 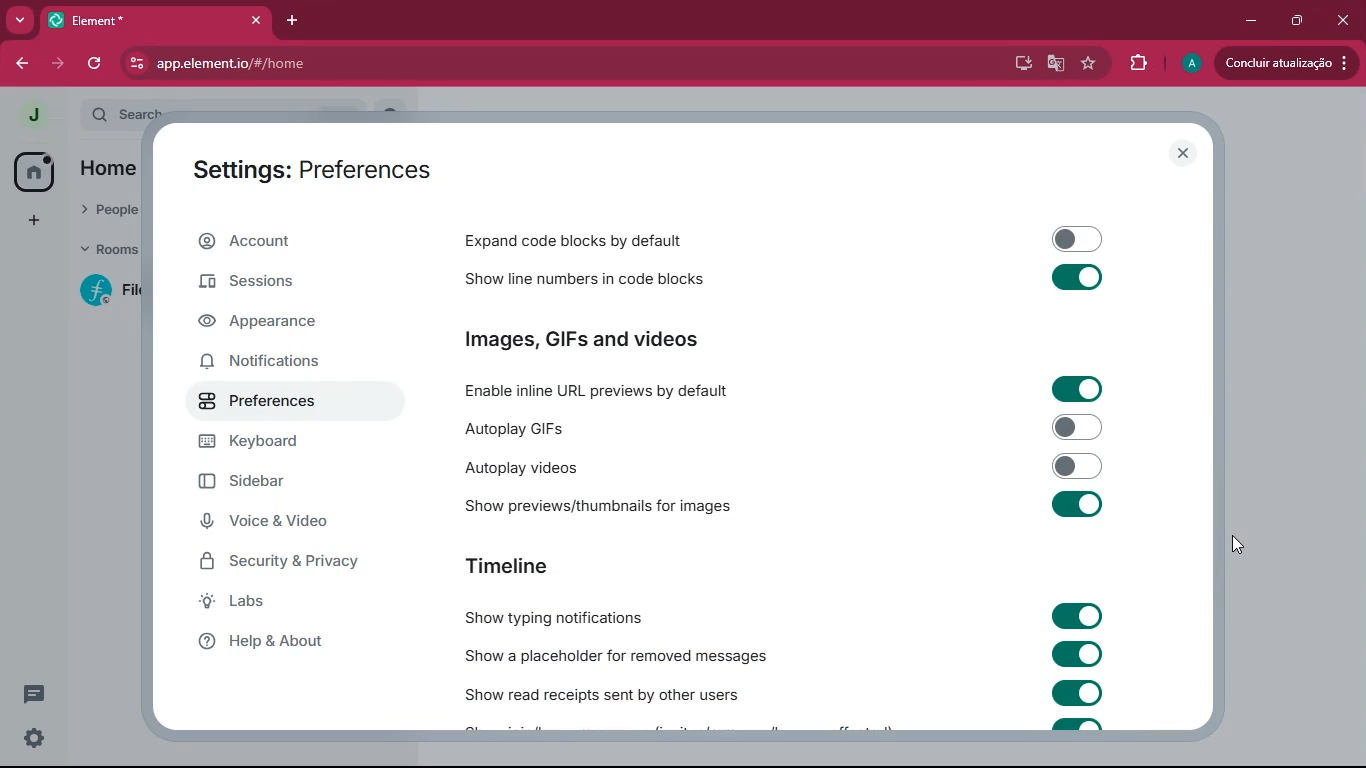 What do you see at coordinates (1057, 65) in the screenshot?
I see `google translate` at bounding box center [1057, 65].